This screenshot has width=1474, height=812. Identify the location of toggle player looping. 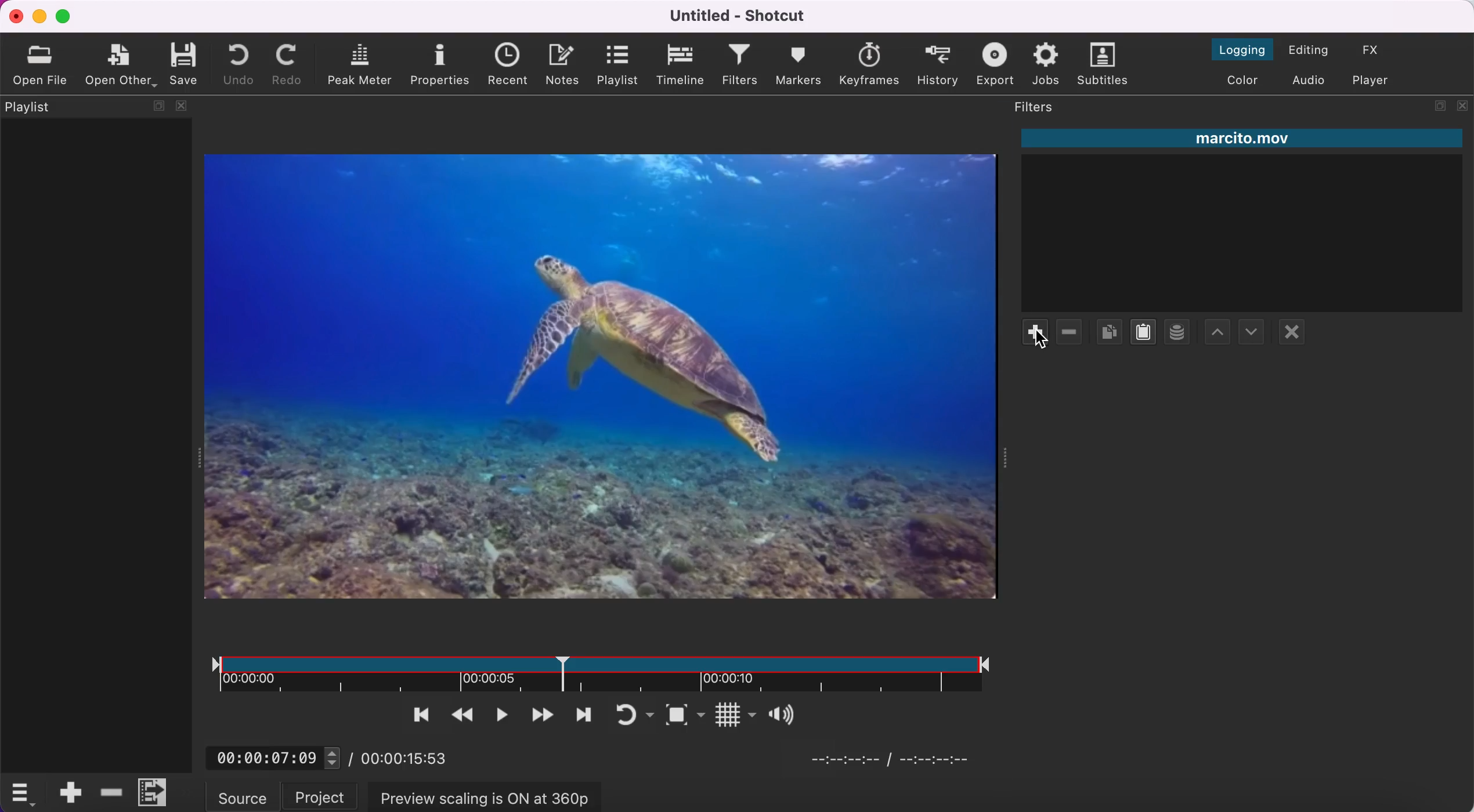
(619, 713).